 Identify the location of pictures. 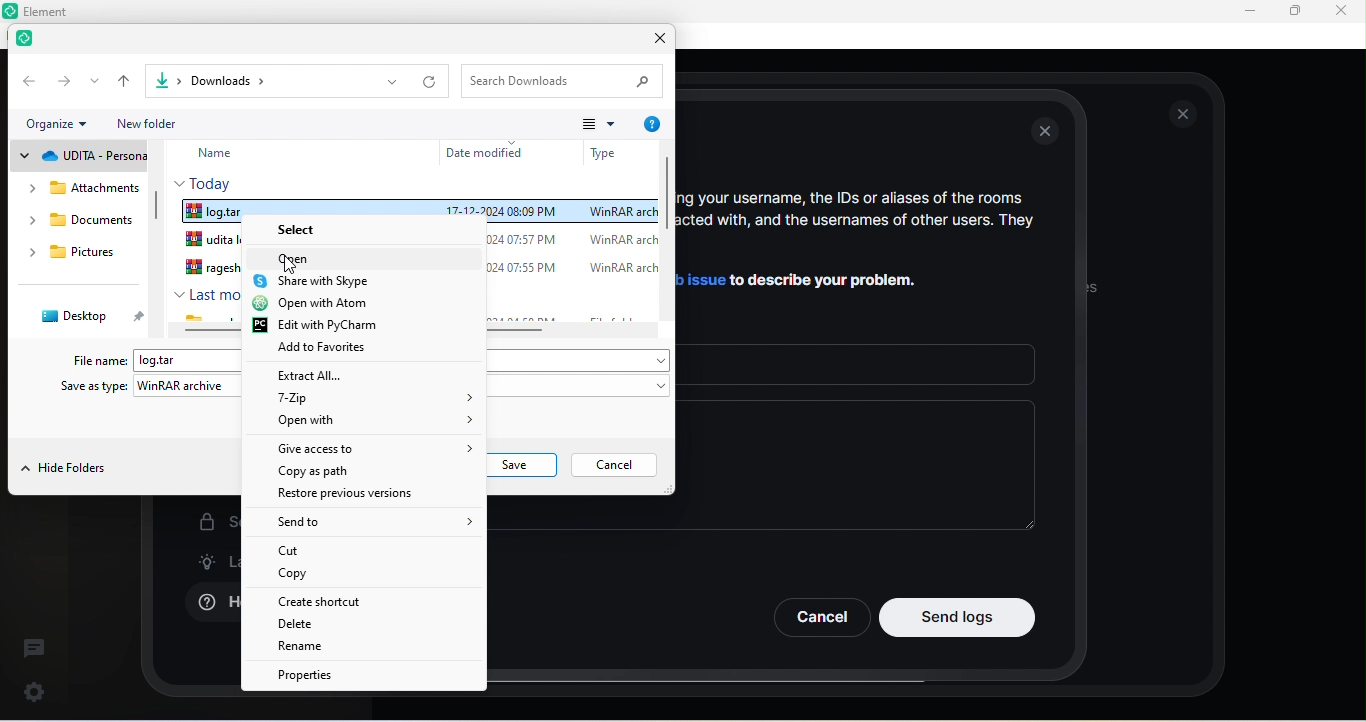
(81, 255).